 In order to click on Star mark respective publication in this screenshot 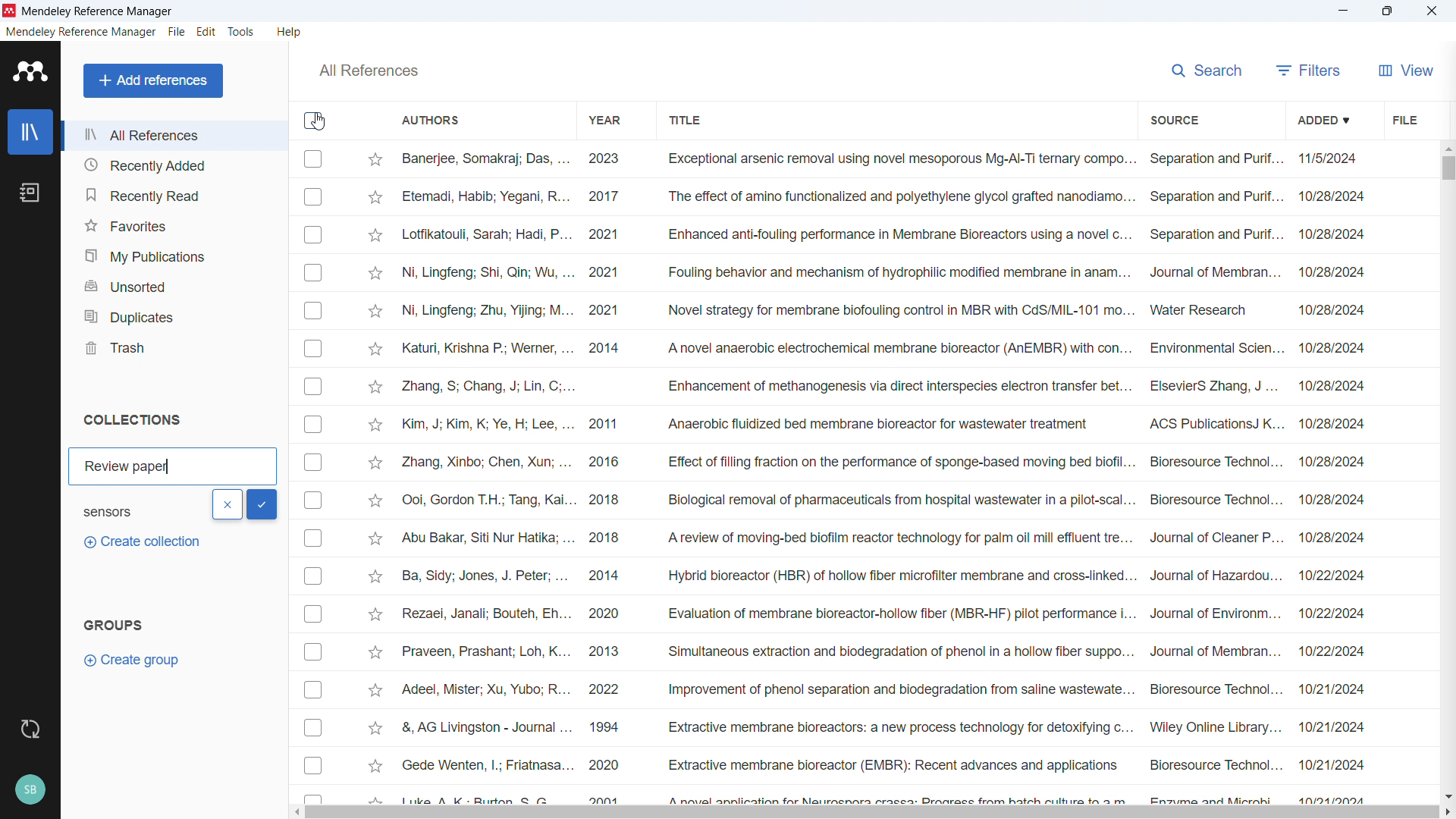, I will do `click(375, 690)`.